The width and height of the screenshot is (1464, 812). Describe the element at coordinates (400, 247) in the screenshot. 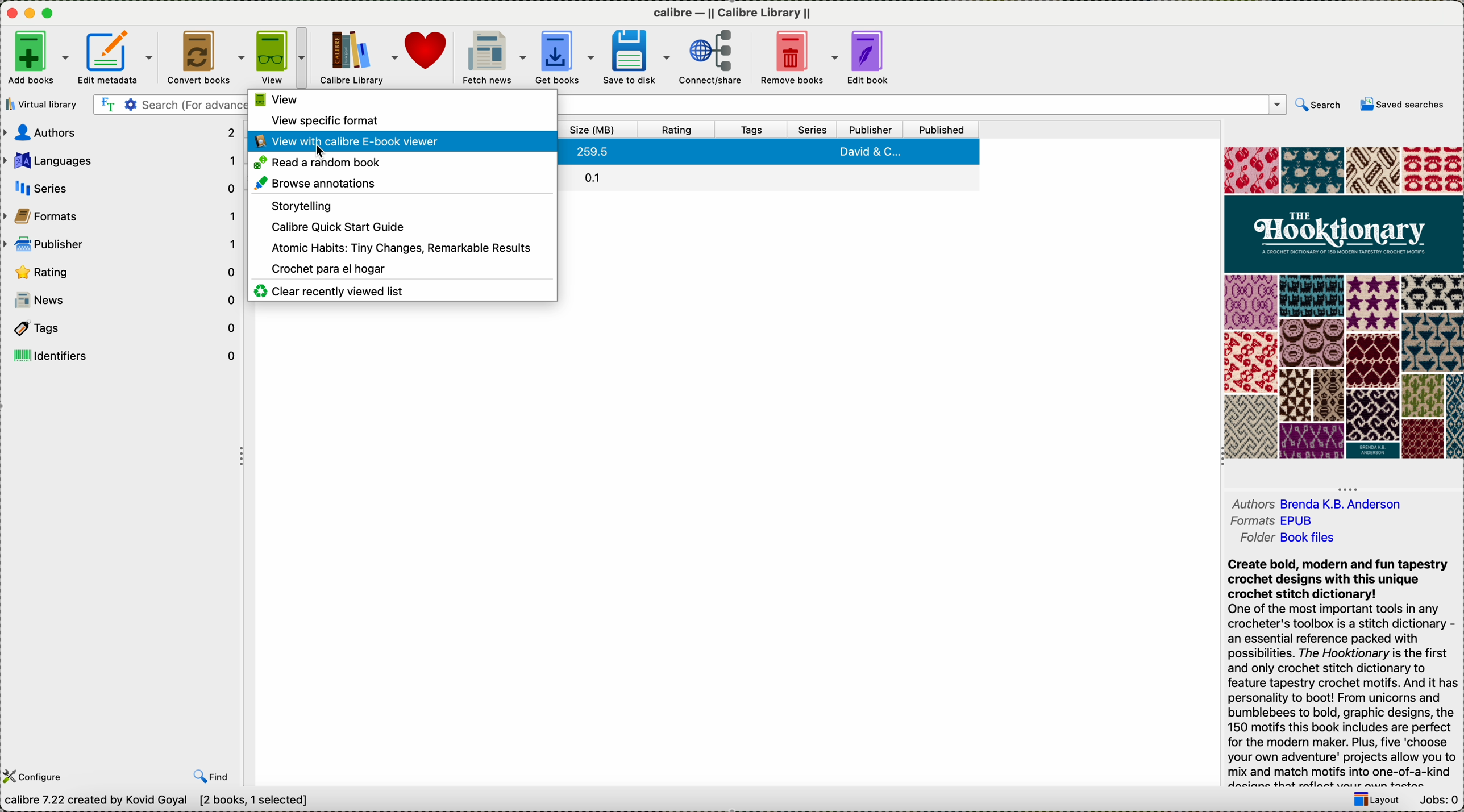

I see `Atomic habits` at that location.